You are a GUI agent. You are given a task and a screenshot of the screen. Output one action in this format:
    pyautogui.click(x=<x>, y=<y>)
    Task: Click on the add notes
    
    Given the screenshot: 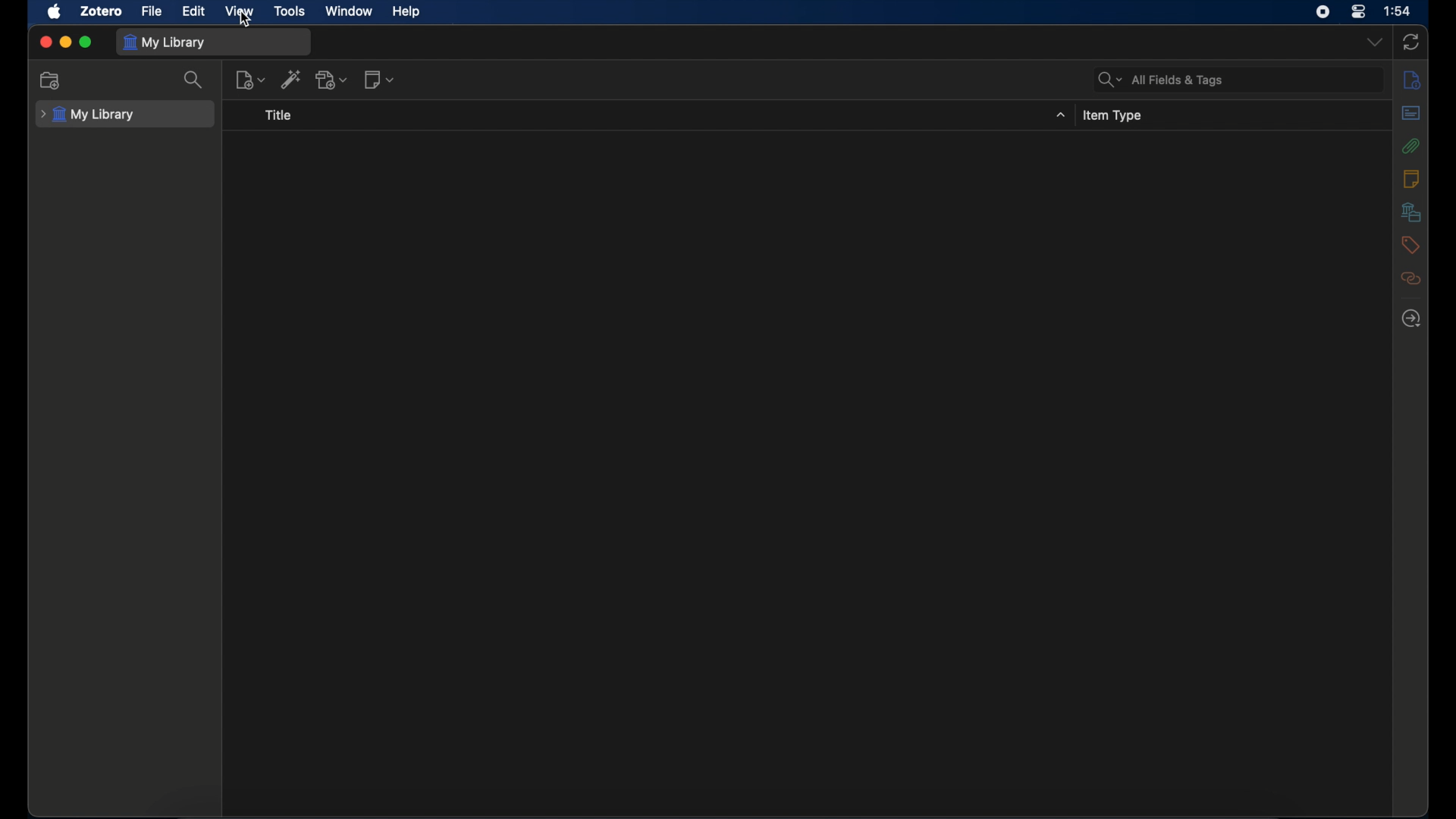 What is the action you would take?
    pyautogui.click(x=379, y=81)
    